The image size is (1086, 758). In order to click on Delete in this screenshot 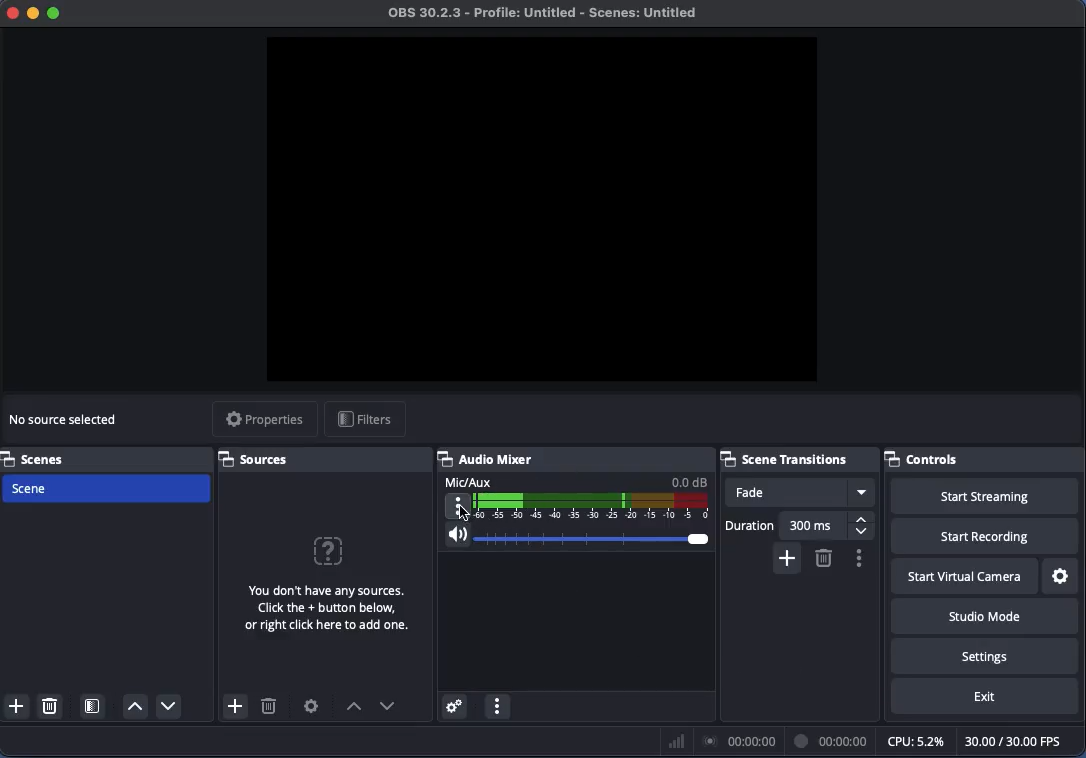, I will do `click(52, 705)`.